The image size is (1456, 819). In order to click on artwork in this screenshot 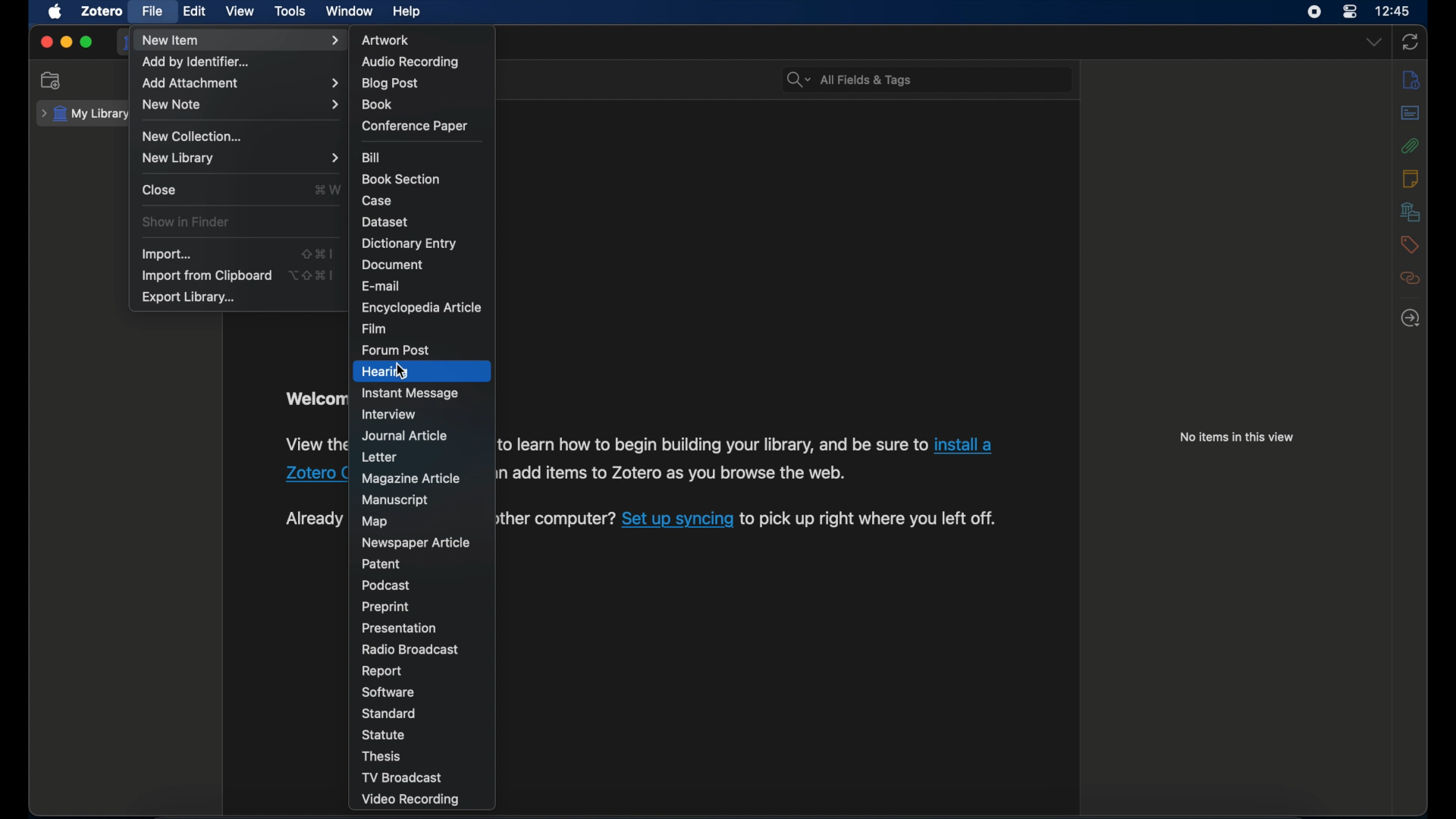, I will do `click(385, 40)`.